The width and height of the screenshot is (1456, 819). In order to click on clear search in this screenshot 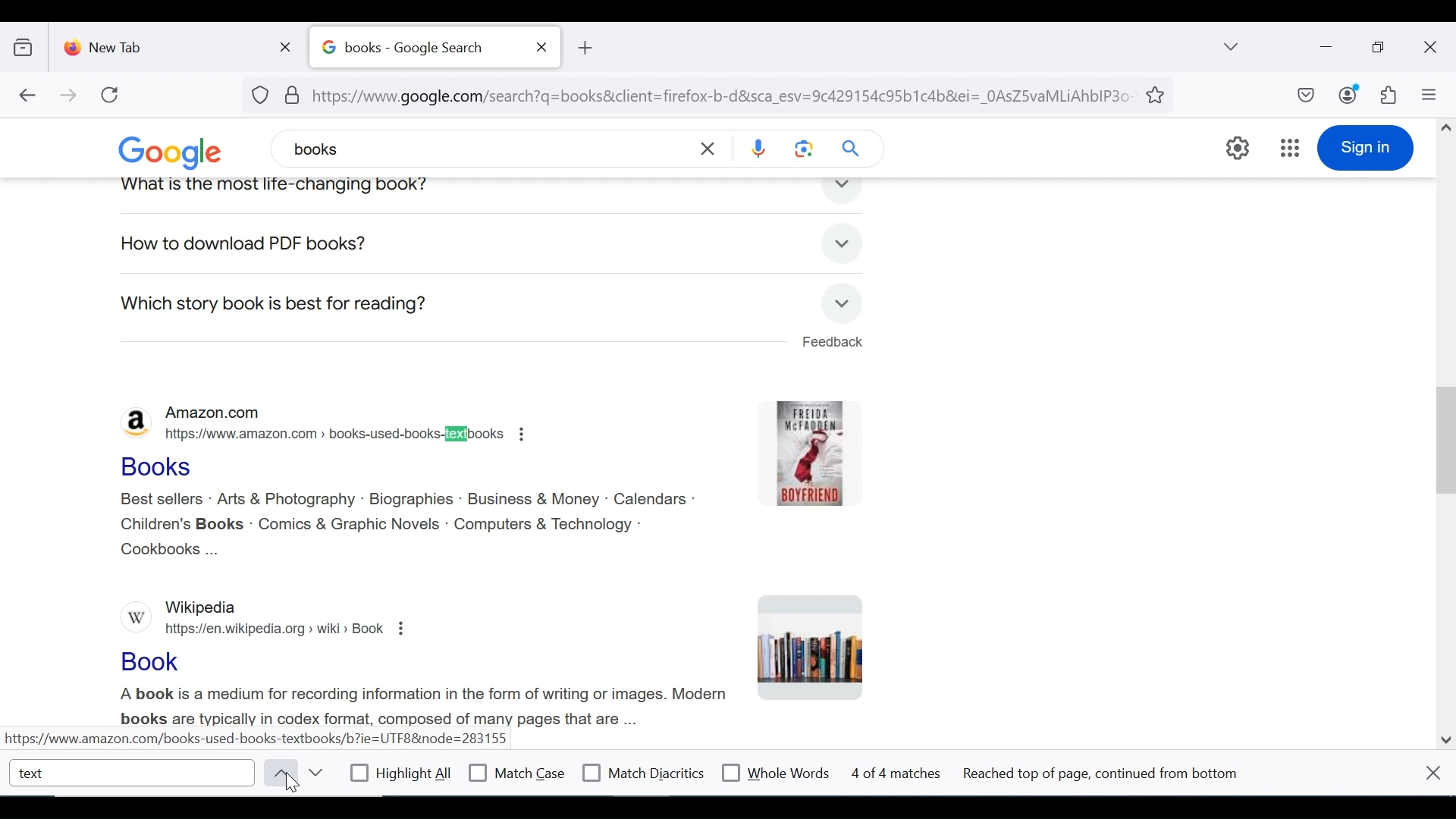, I will do `click(710, 148)`.